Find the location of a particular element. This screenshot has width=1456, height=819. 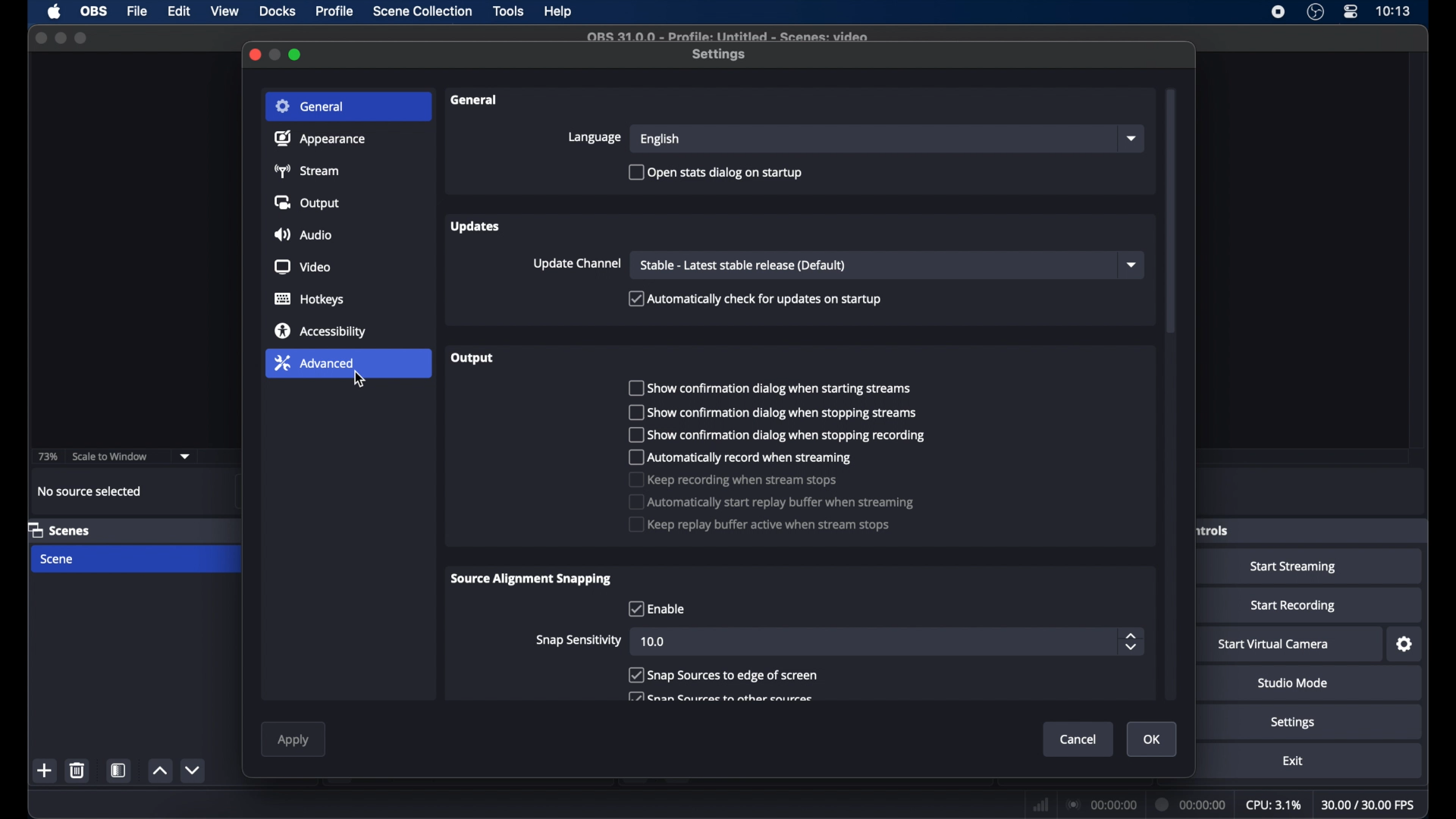

file name is located at coordinates (726, 36).